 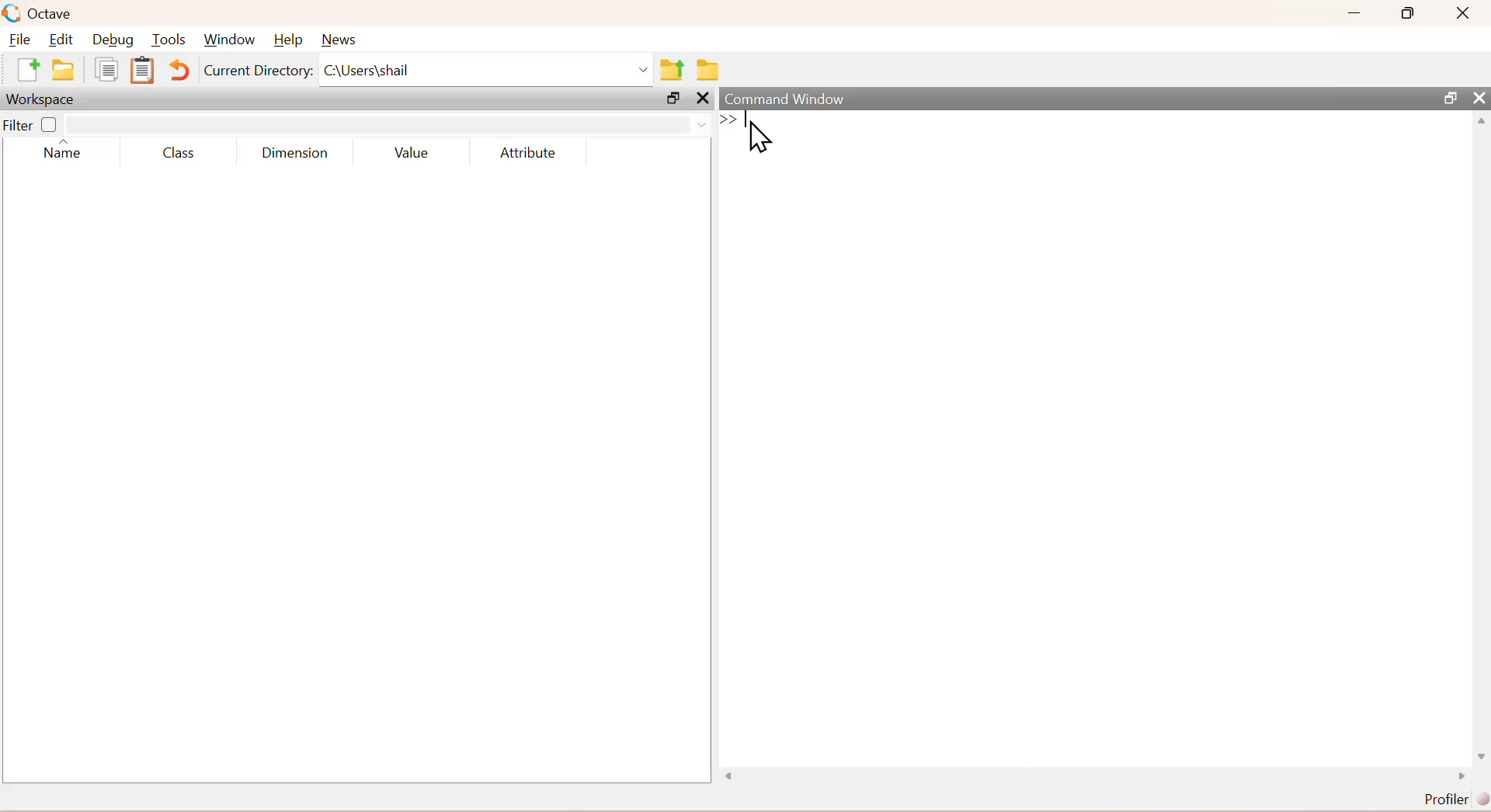 What do you see at coordinates (1458, 774) in the screenshot?
I see `Right` at bounding box center [1458, 774].